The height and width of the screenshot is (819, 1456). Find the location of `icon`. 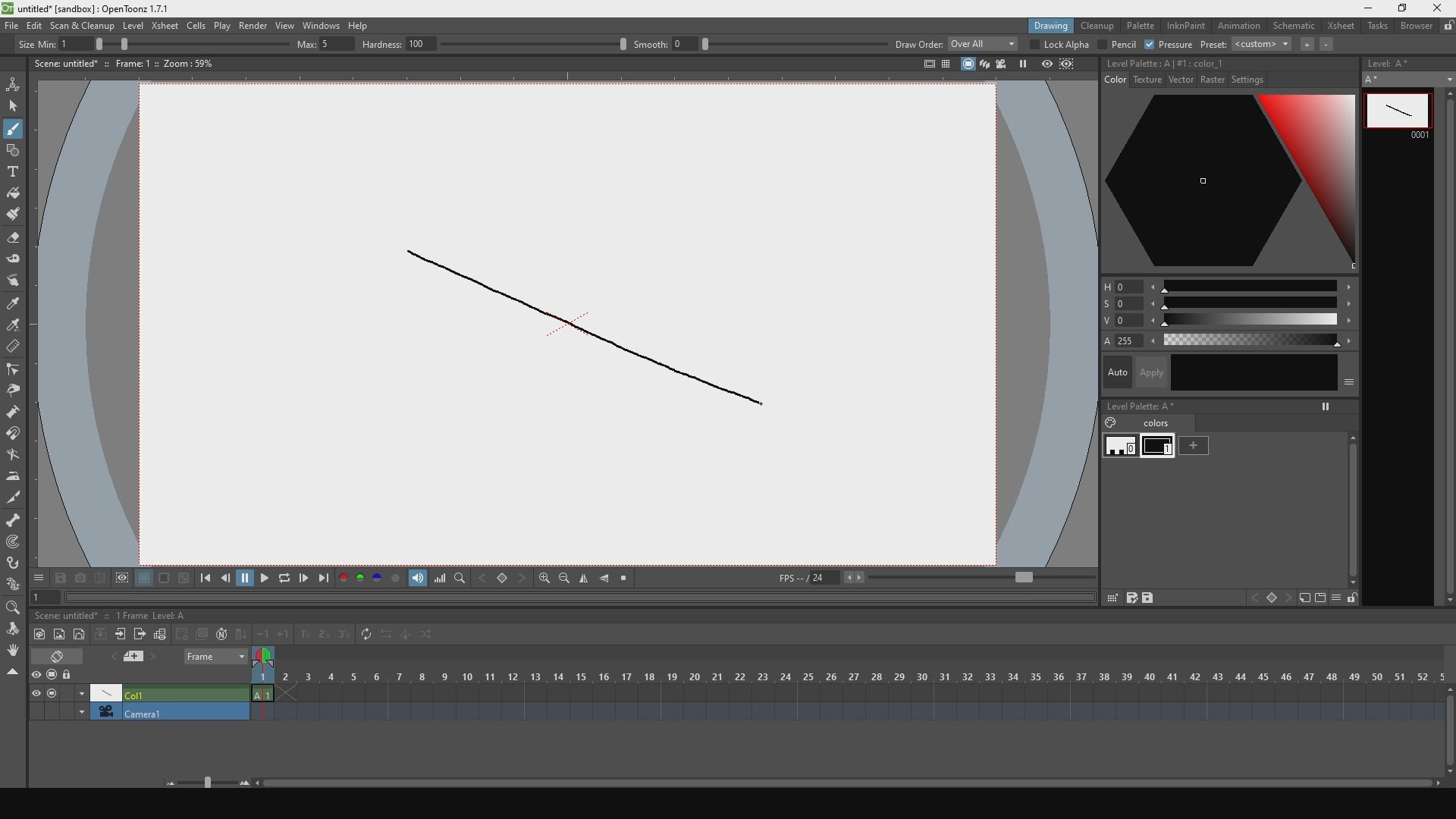

icon is located at coordinates (924, 65).